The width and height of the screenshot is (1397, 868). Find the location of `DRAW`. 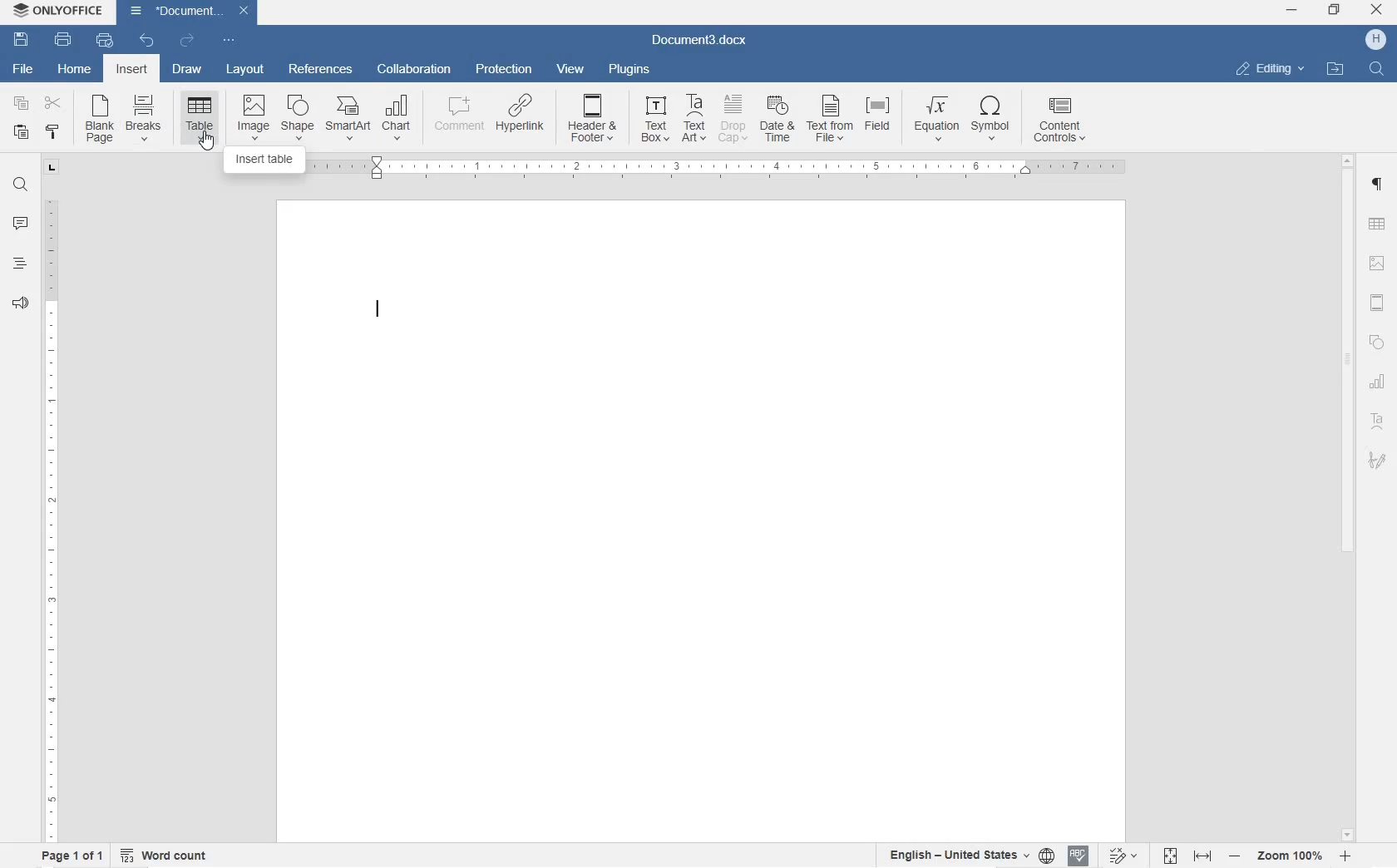

DRAW is located at coordinates (185, 72).